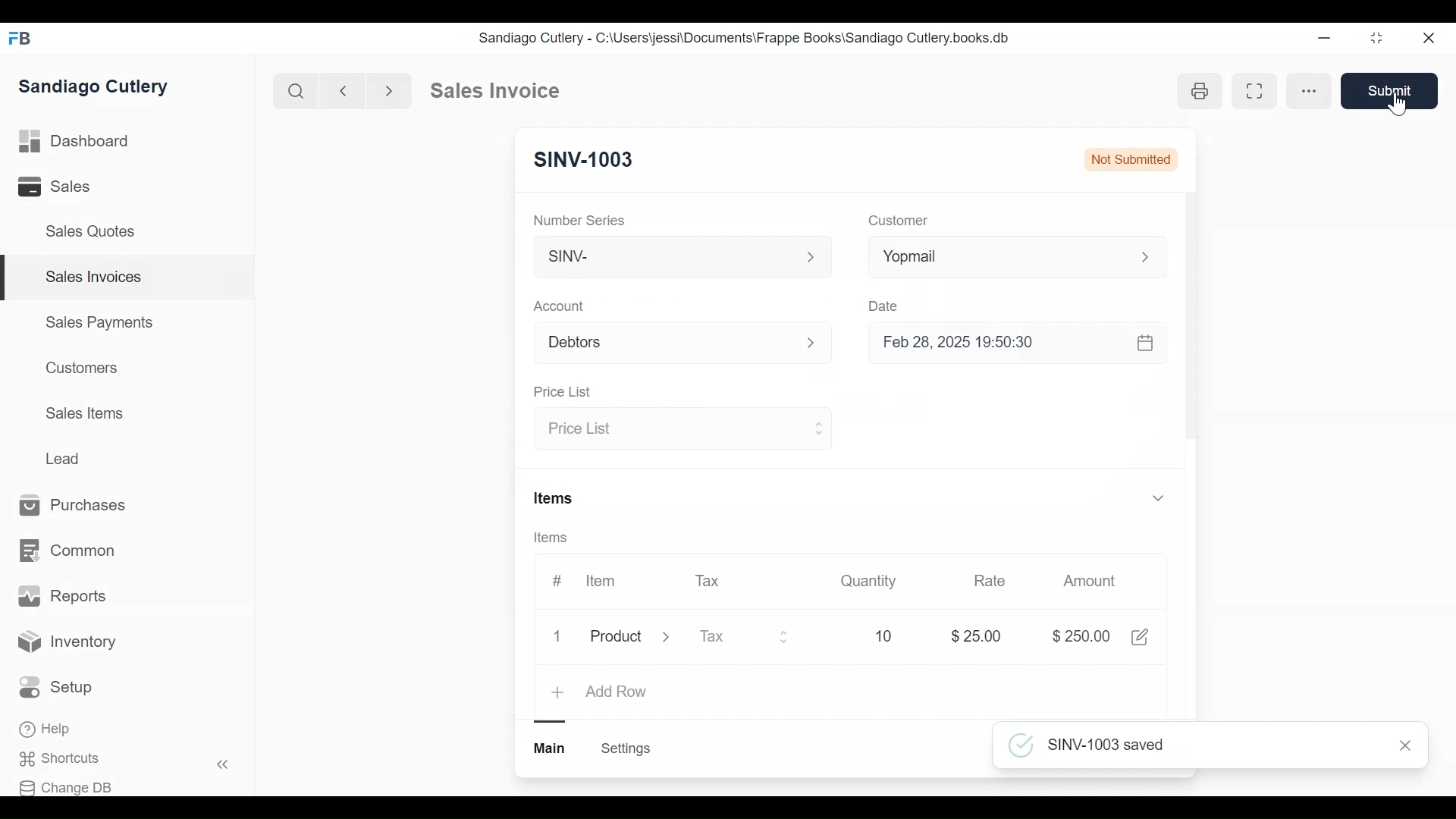  Describe the element at coordinates (745, 639) in the screenshot. I see `Tax ` at that location.